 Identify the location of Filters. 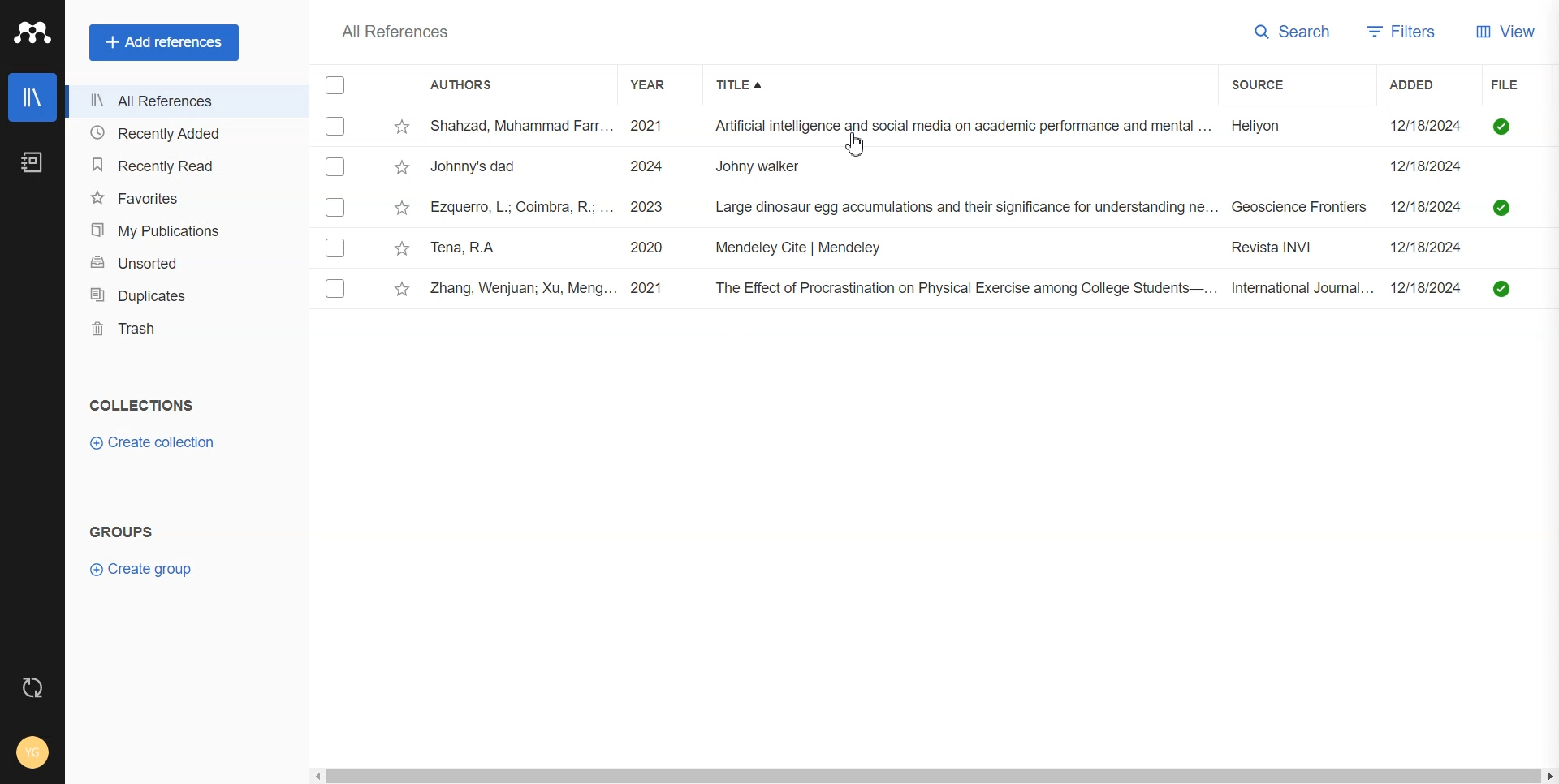
(1402, 32).